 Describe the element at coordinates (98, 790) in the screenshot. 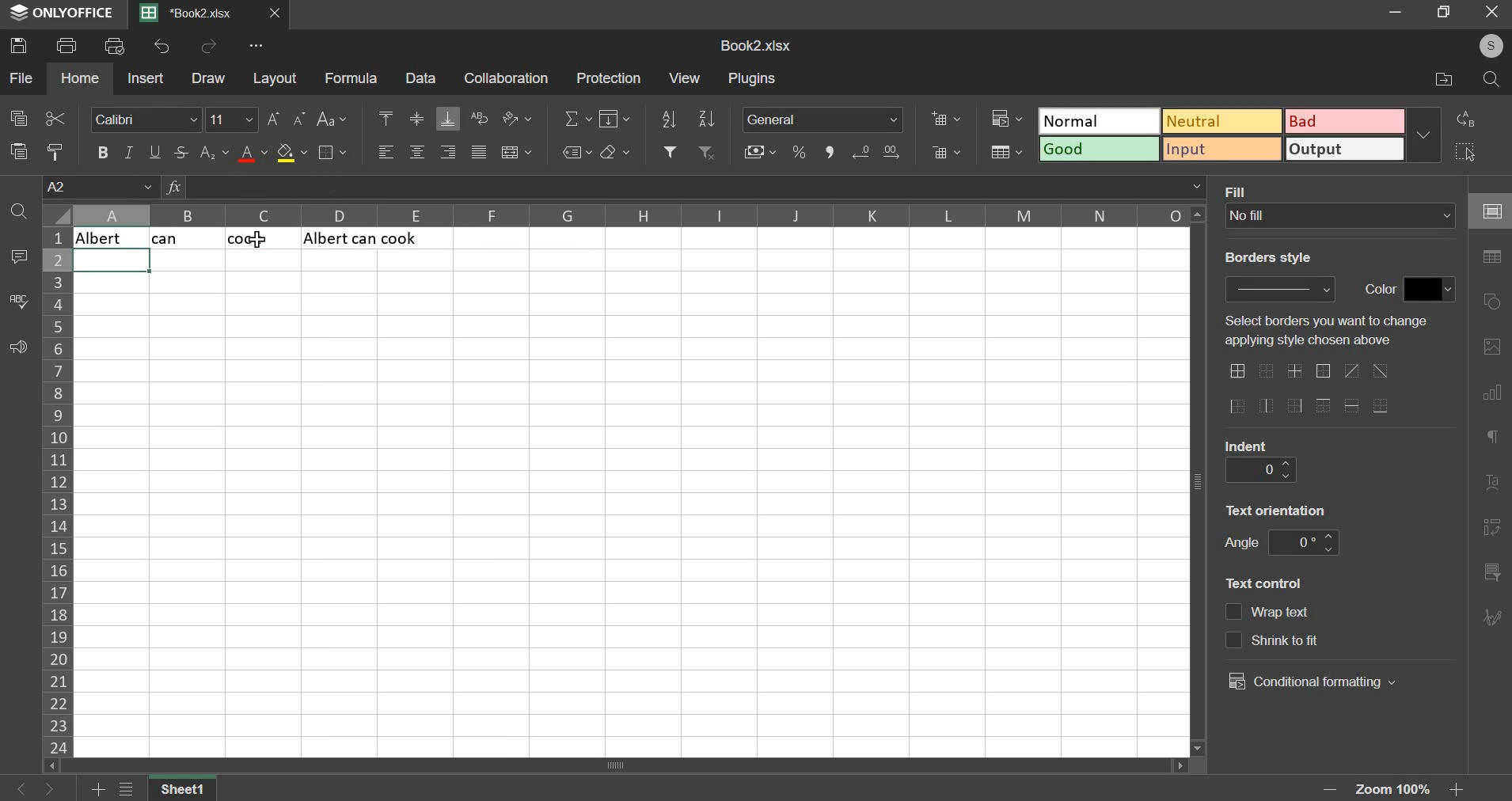

I see `add sheets` at that location.